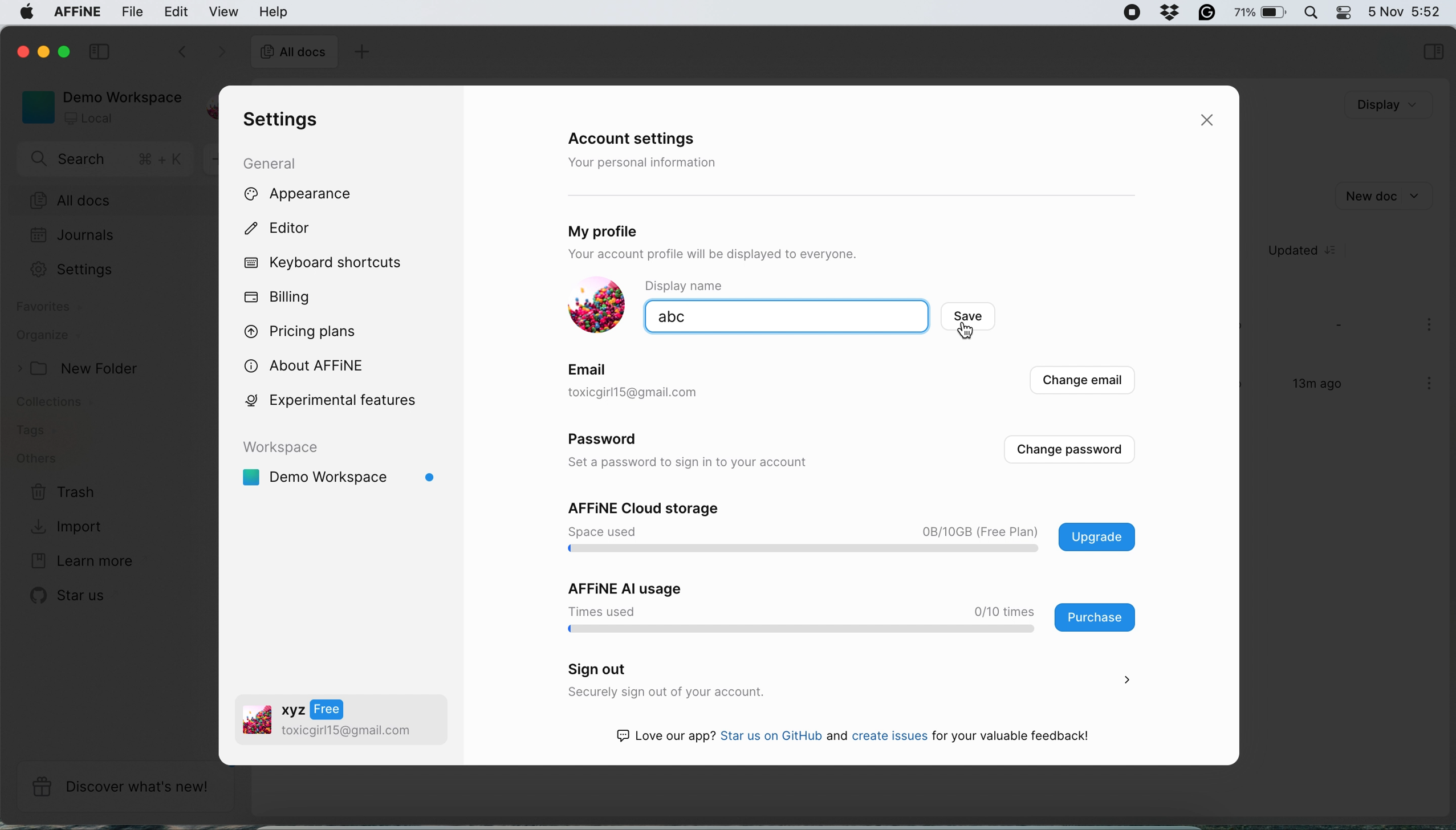 The height and width of the screenshot is (830, 1456). I want to click on journals, so click(72, 237).